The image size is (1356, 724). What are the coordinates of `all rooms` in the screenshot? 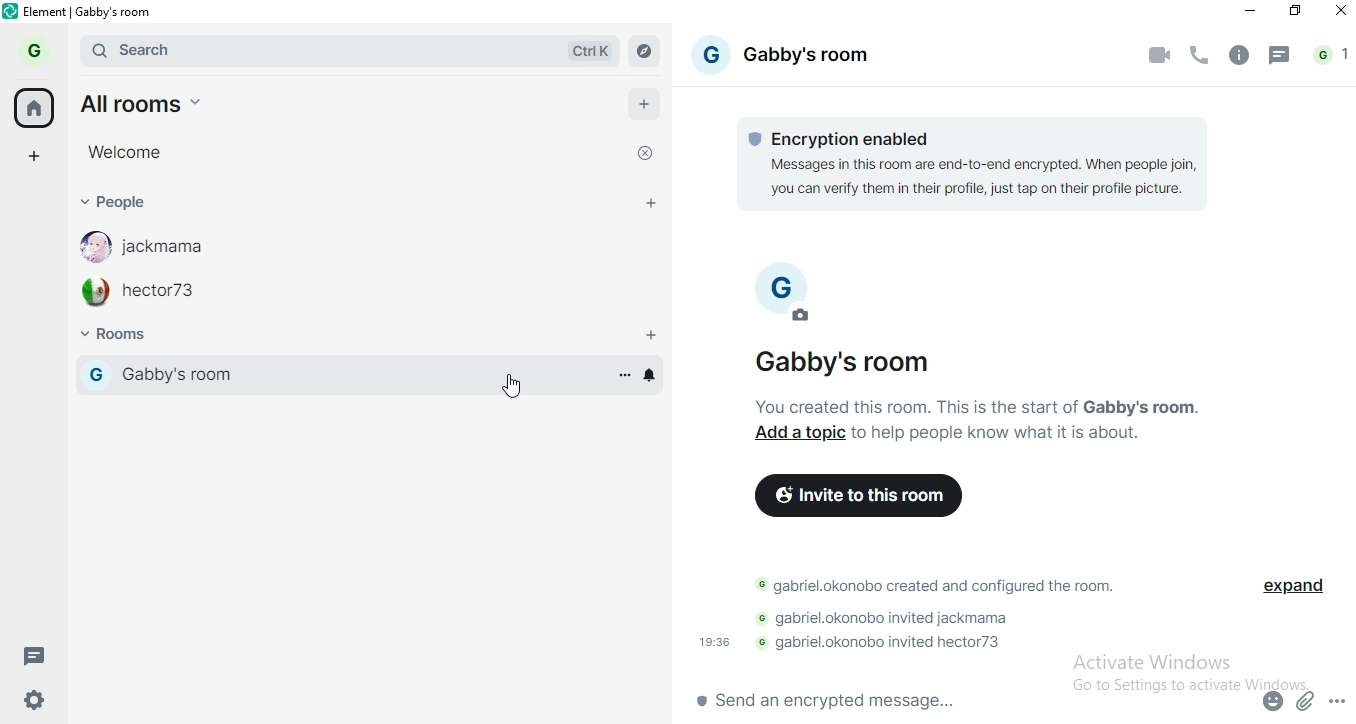 It's located at (138, 101).